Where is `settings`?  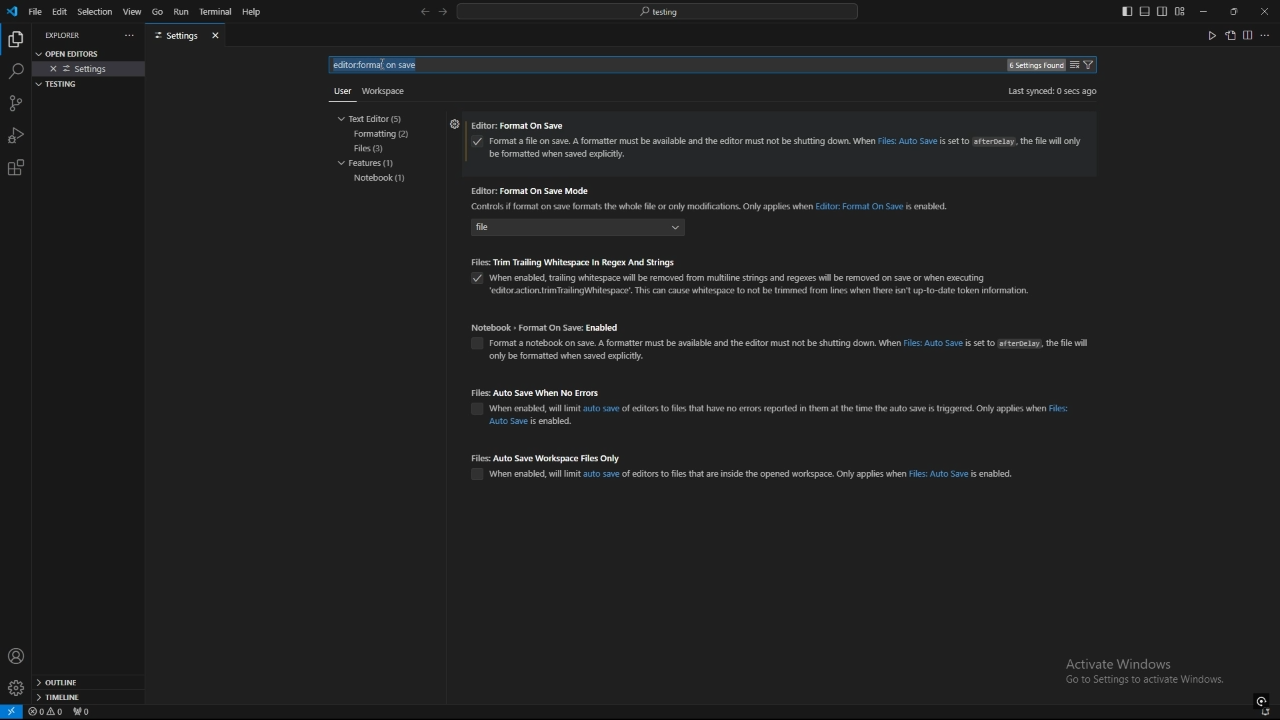
settings is located at coordinates (453, 123).